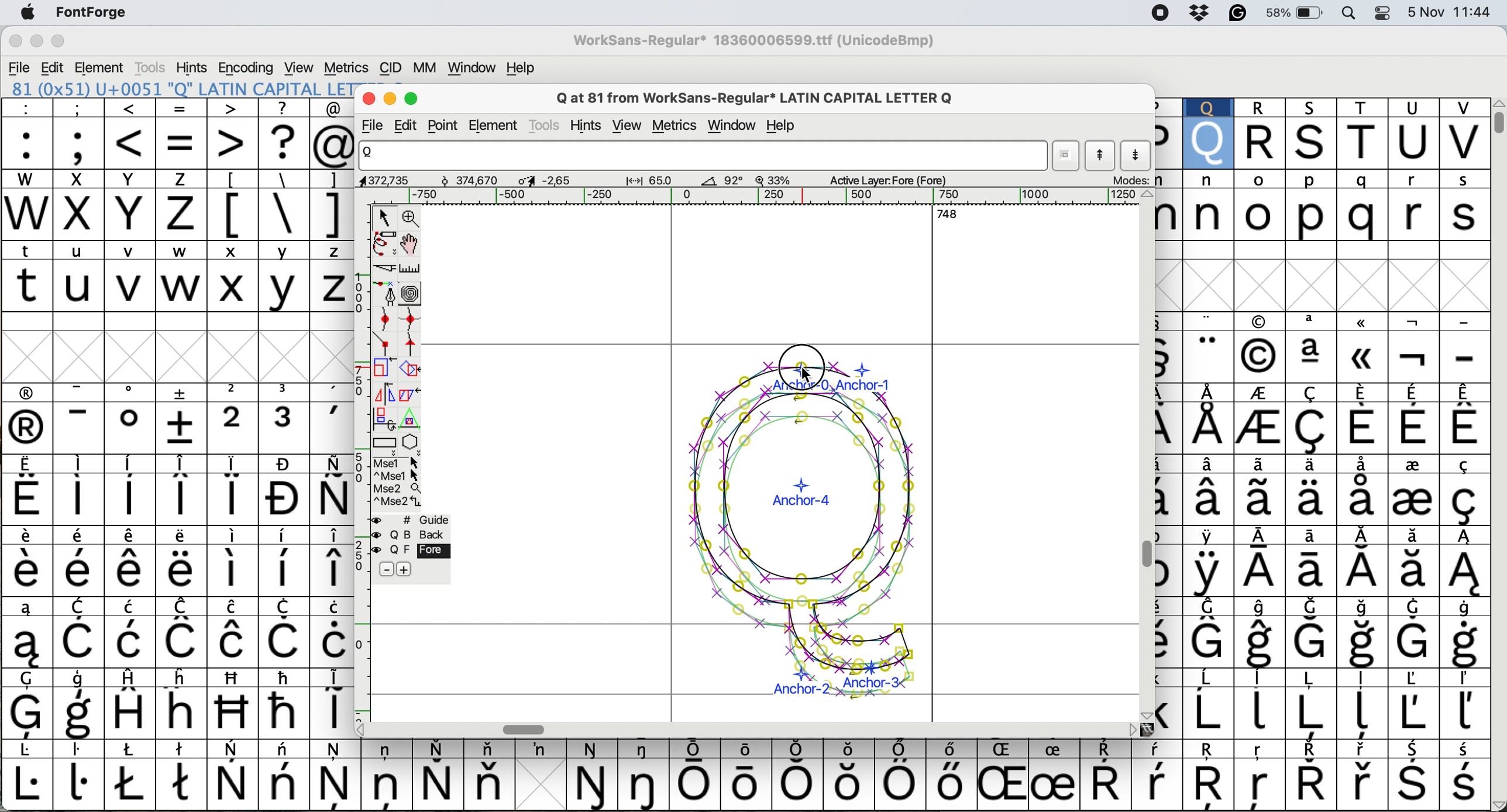 This screenshot has width=1507, height=812. I want to click on horizontal scroll bar, so click(718, 197).